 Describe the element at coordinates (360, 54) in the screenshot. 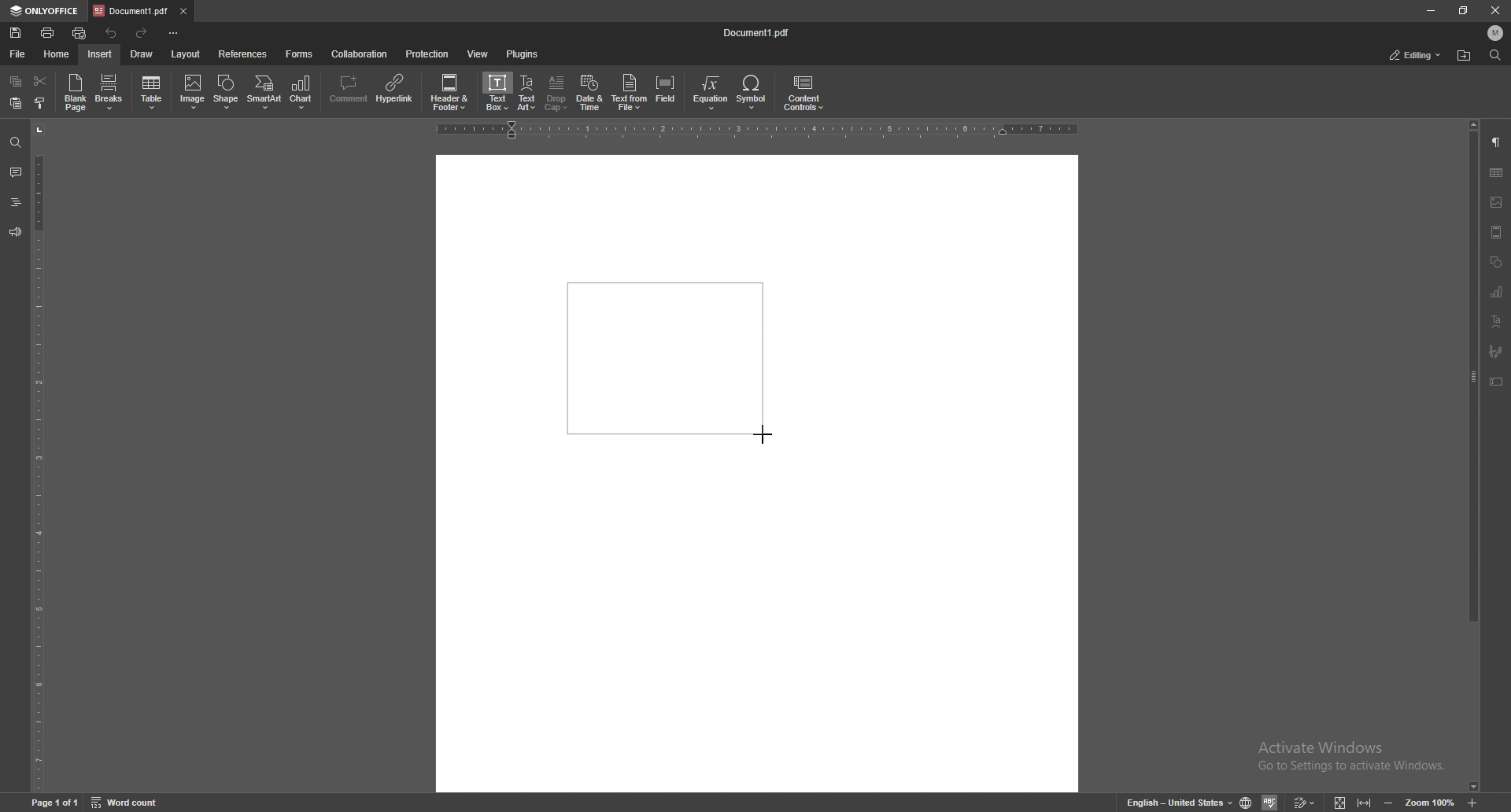

I see `colaboration` at that location.